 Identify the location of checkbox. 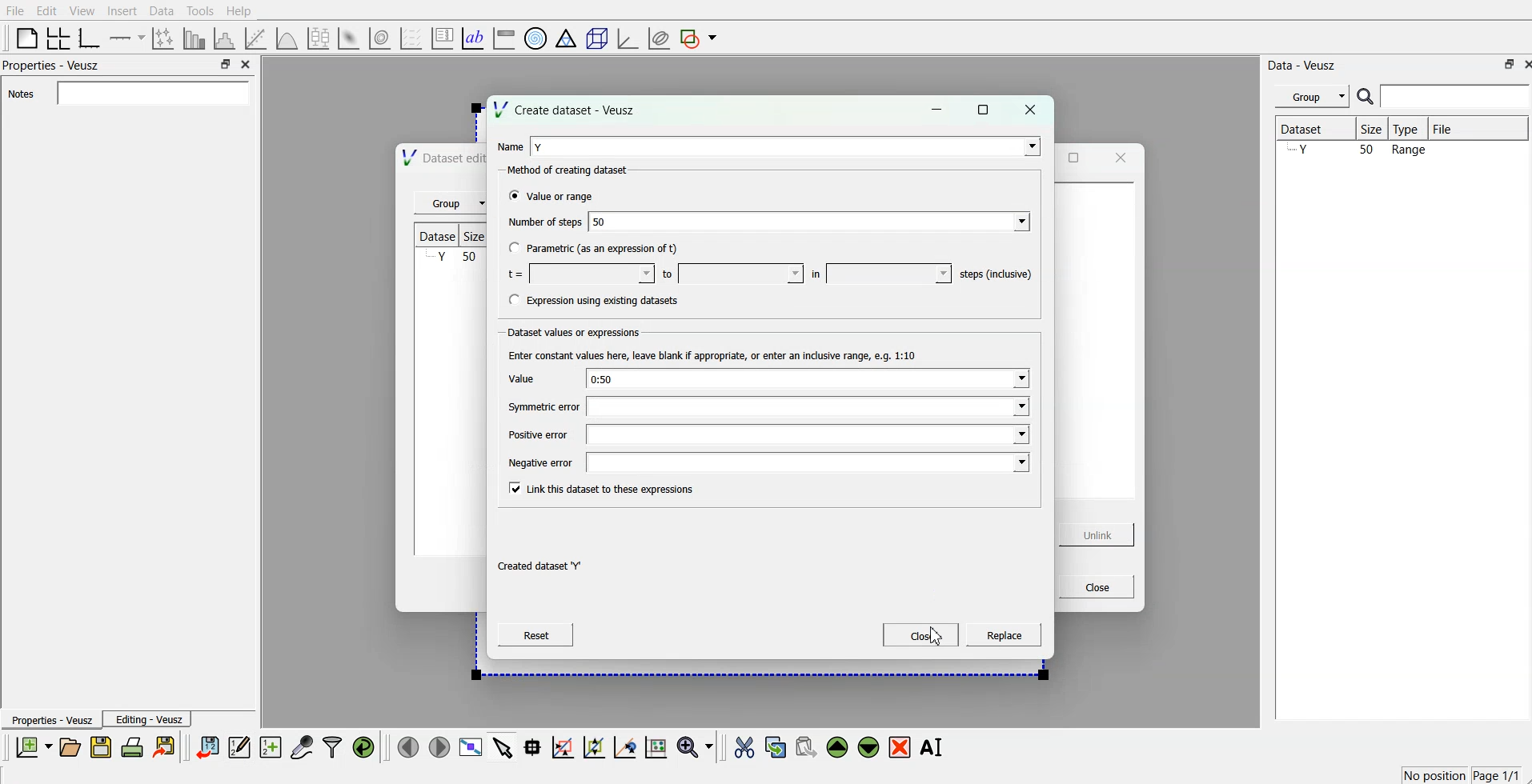
(511, 490).